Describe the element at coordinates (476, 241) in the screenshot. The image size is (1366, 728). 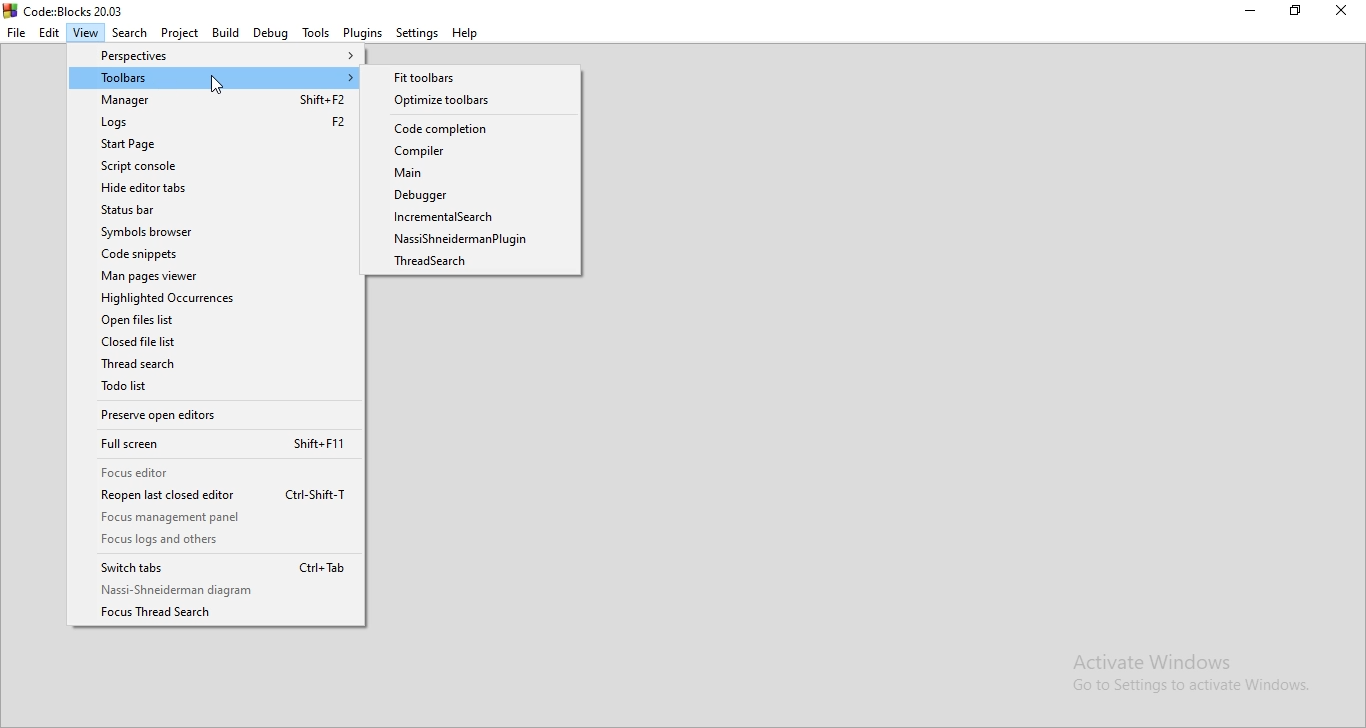
I see `Nasaisho demaPlugin ` at that location.